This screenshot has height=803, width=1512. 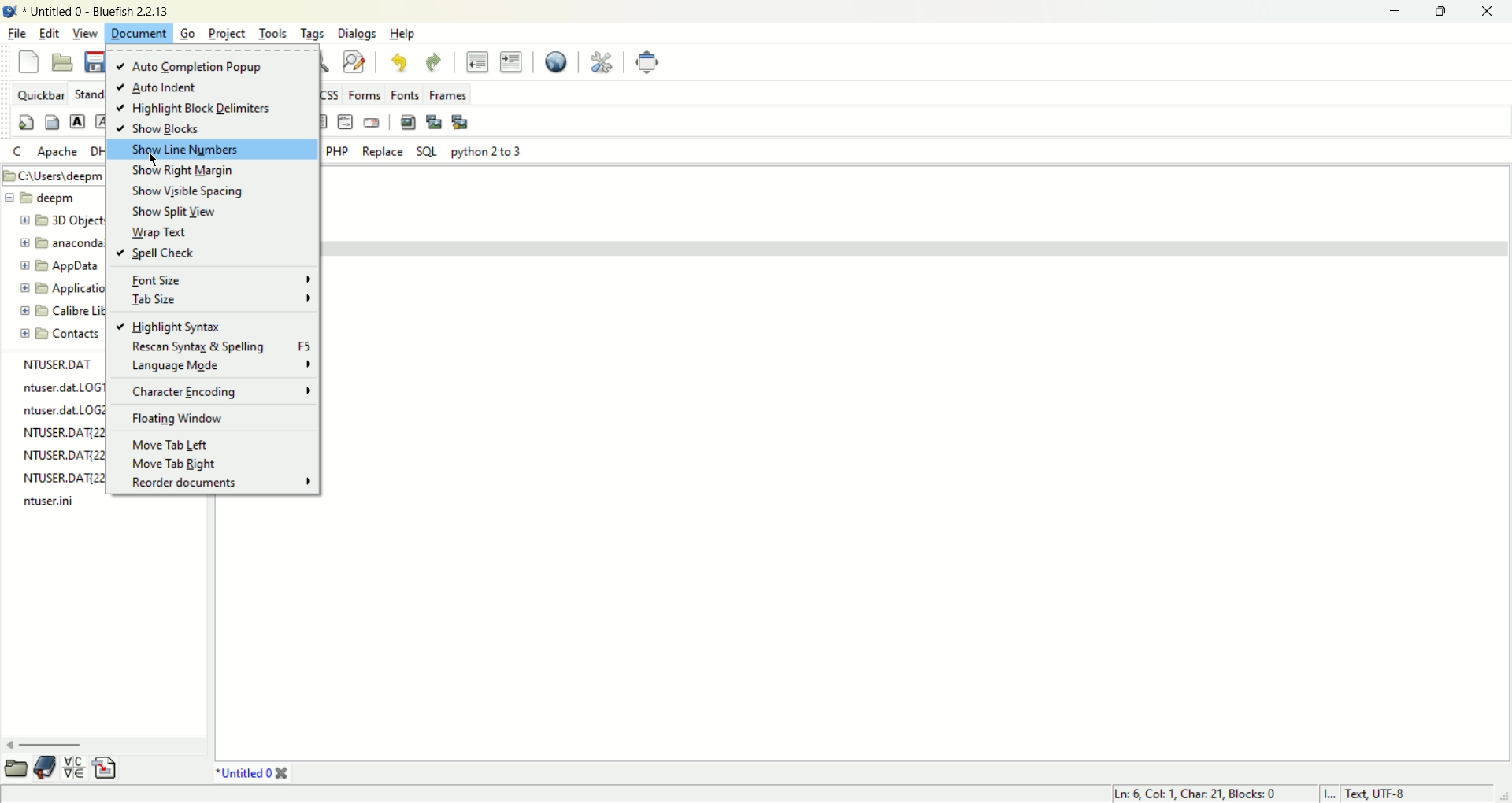 I want to click on go, so click(x=190, y=32).